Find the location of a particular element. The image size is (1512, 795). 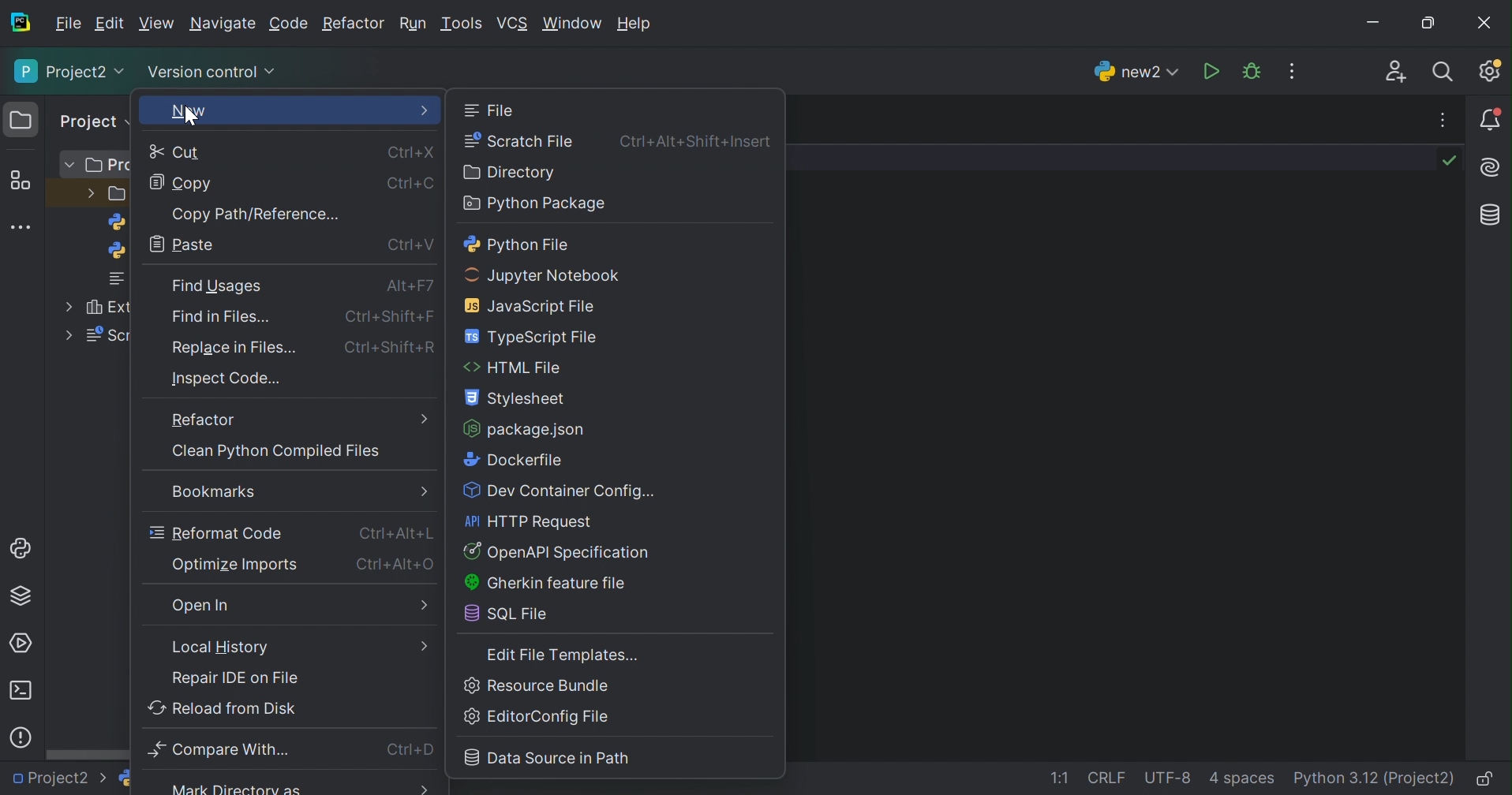

python logo is located at coordinates (126, 778).